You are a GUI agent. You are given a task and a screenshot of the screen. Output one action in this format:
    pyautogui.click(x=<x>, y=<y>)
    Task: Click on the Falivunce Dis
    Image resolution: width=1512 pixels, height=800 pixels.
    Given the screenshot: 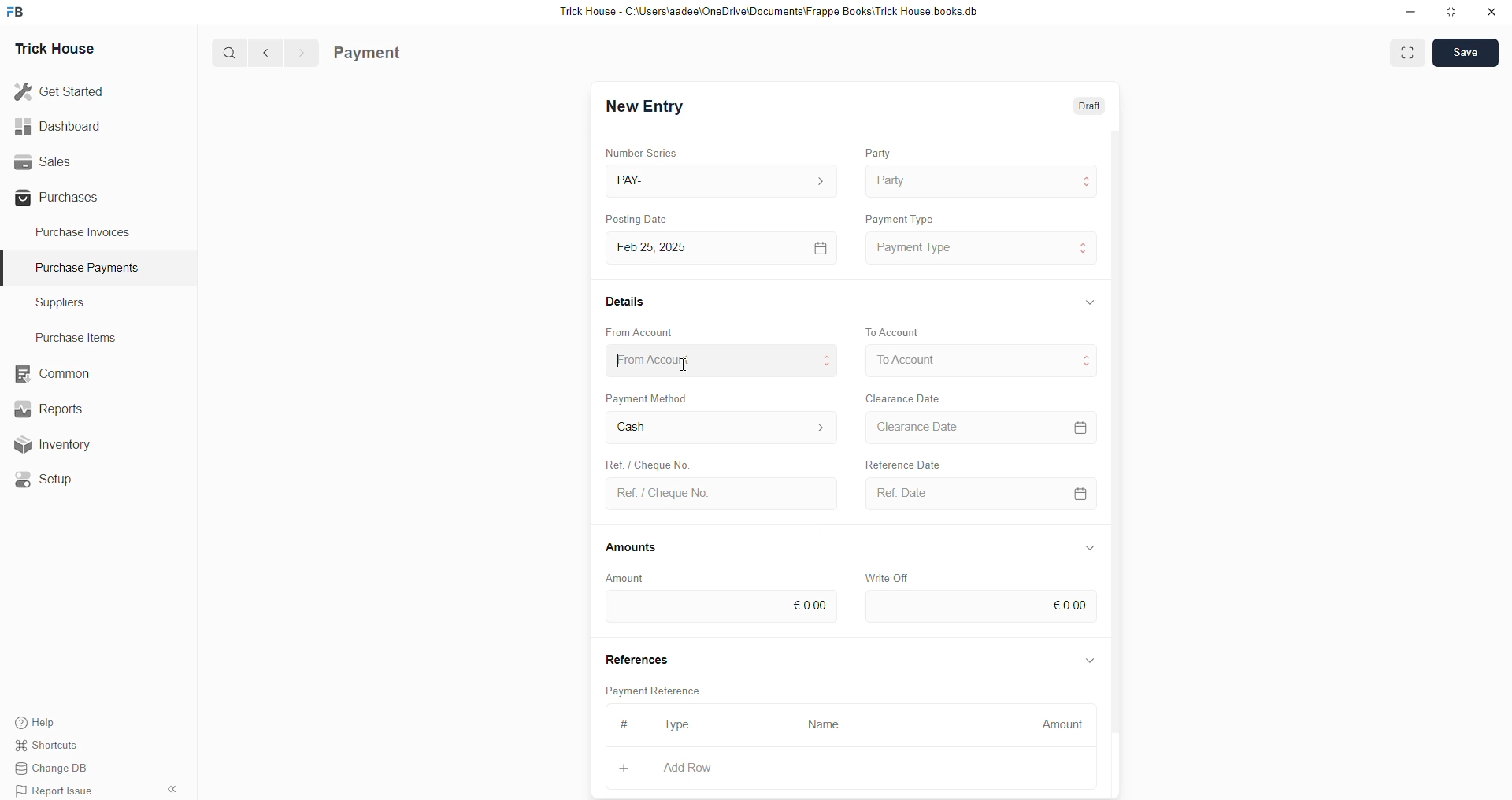 What is the action you would take?
    pyautogui.click(x=914, y=461)
    